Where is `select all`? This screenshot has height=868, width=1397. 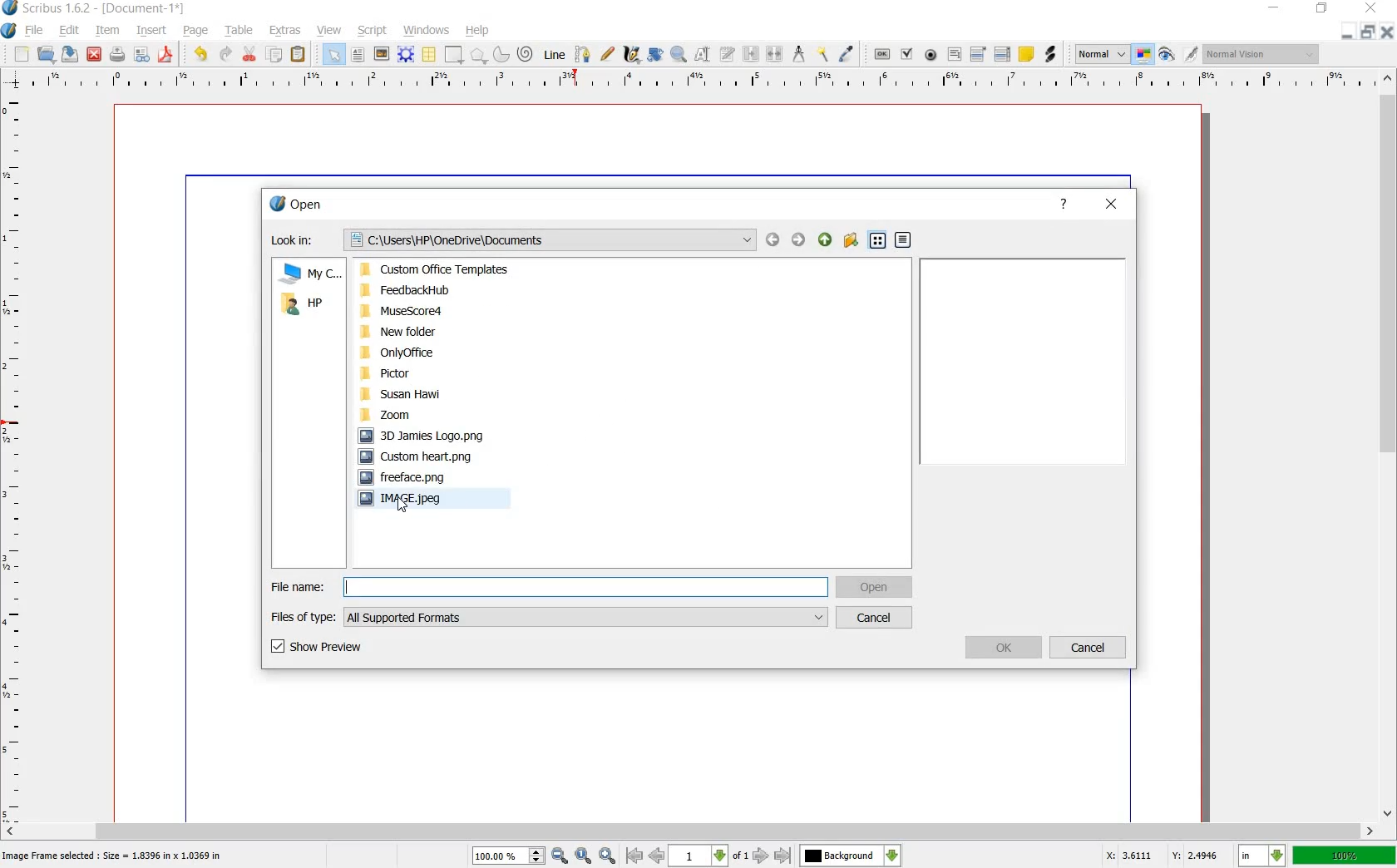
select all is located at coordinates (333, 55).